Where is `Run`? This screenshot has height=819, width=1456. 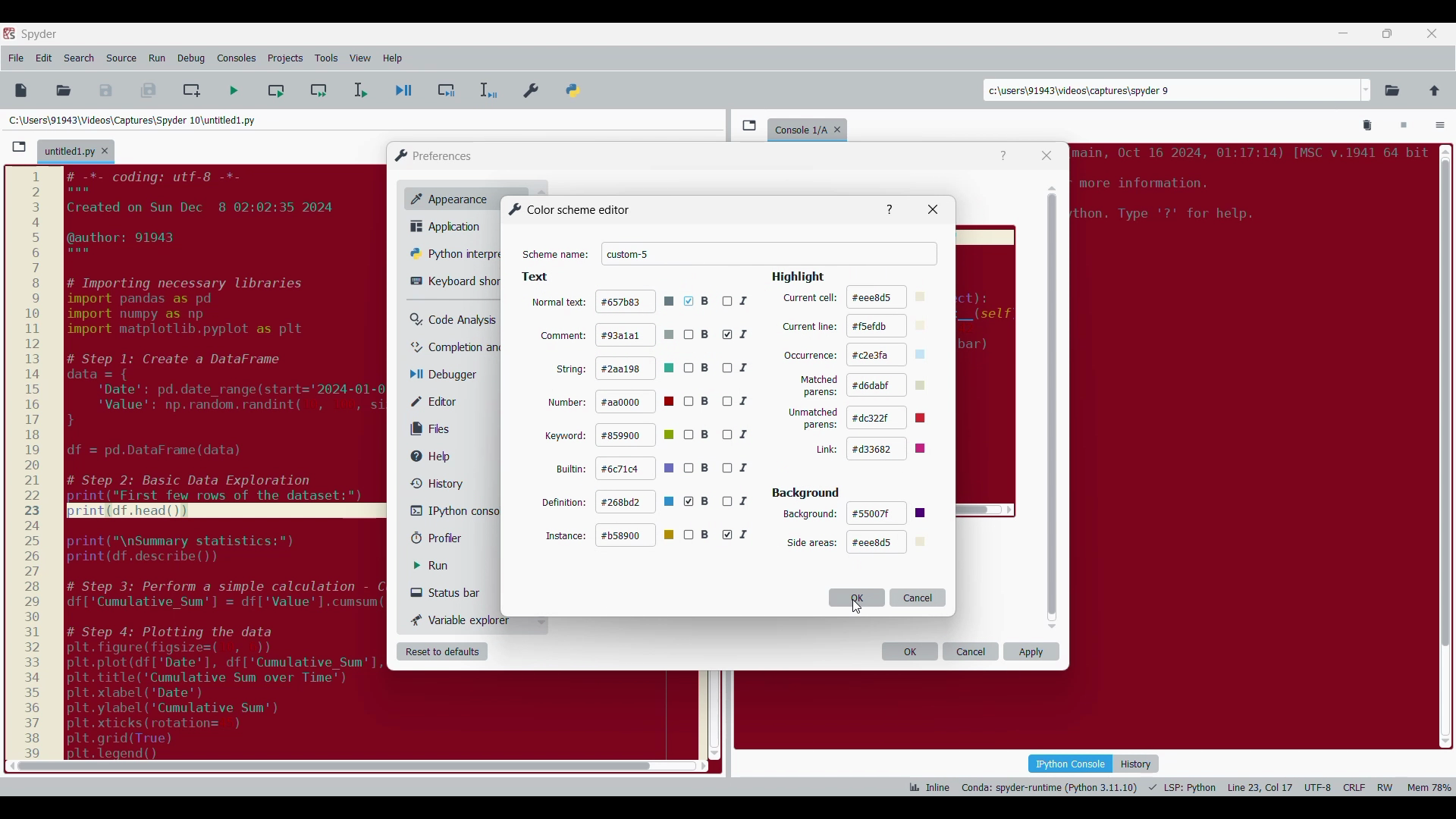 Run is located at coordinates (442, 566).